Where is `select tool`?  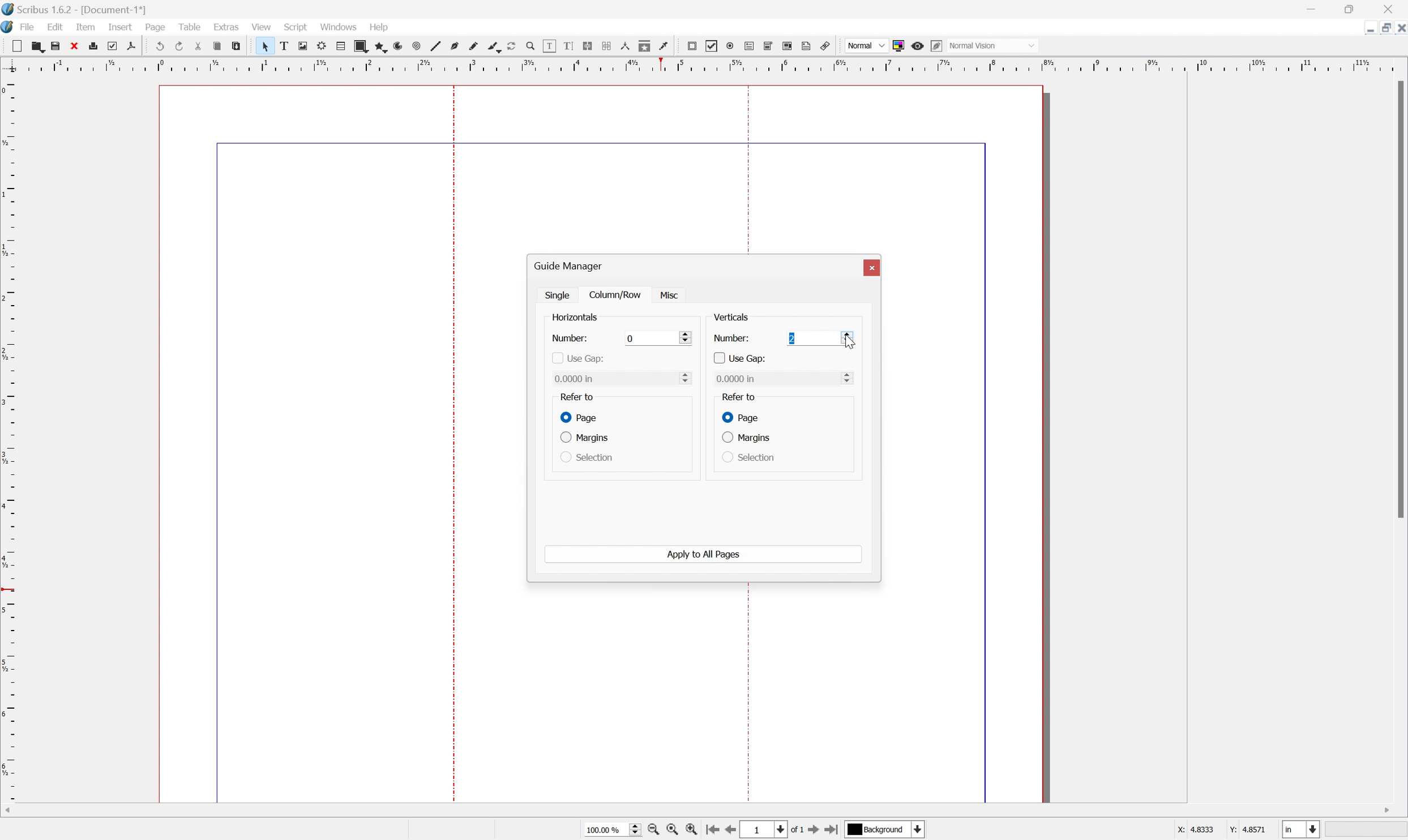 select tool is located at coordinates (263, 46).